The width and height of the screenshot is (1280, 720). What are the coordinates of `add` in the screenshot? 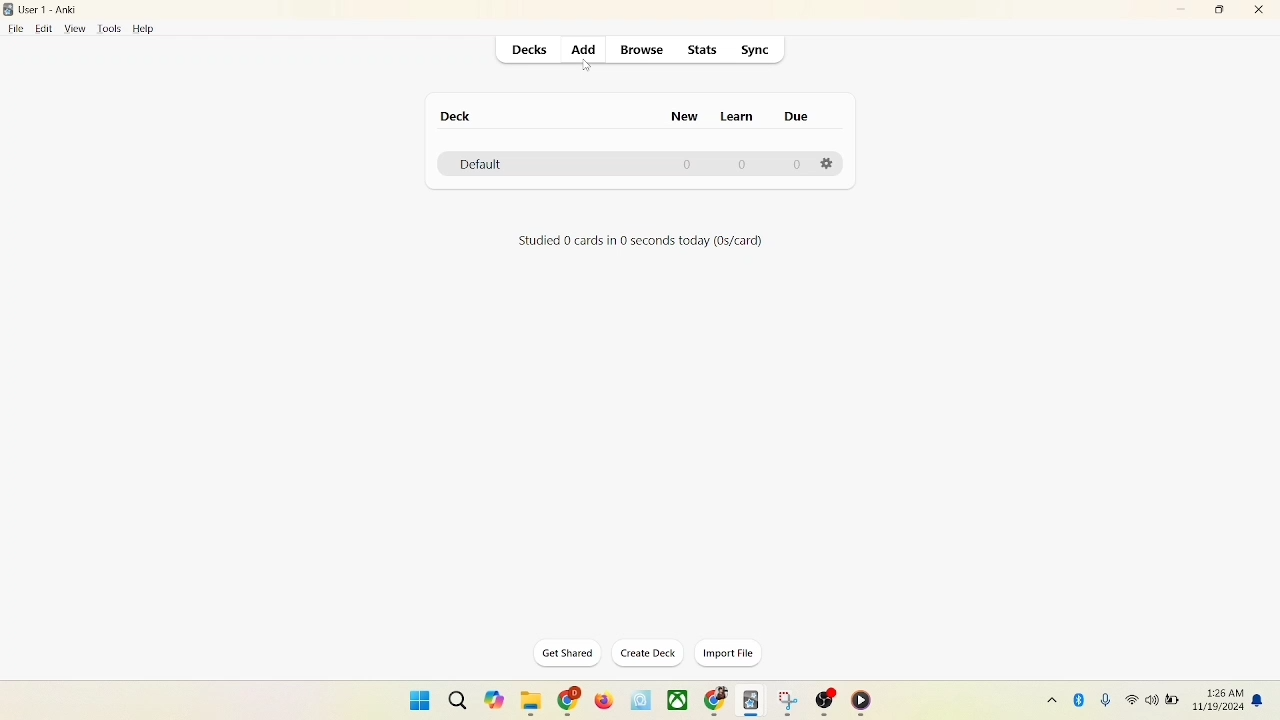 It's located at (582, 49).